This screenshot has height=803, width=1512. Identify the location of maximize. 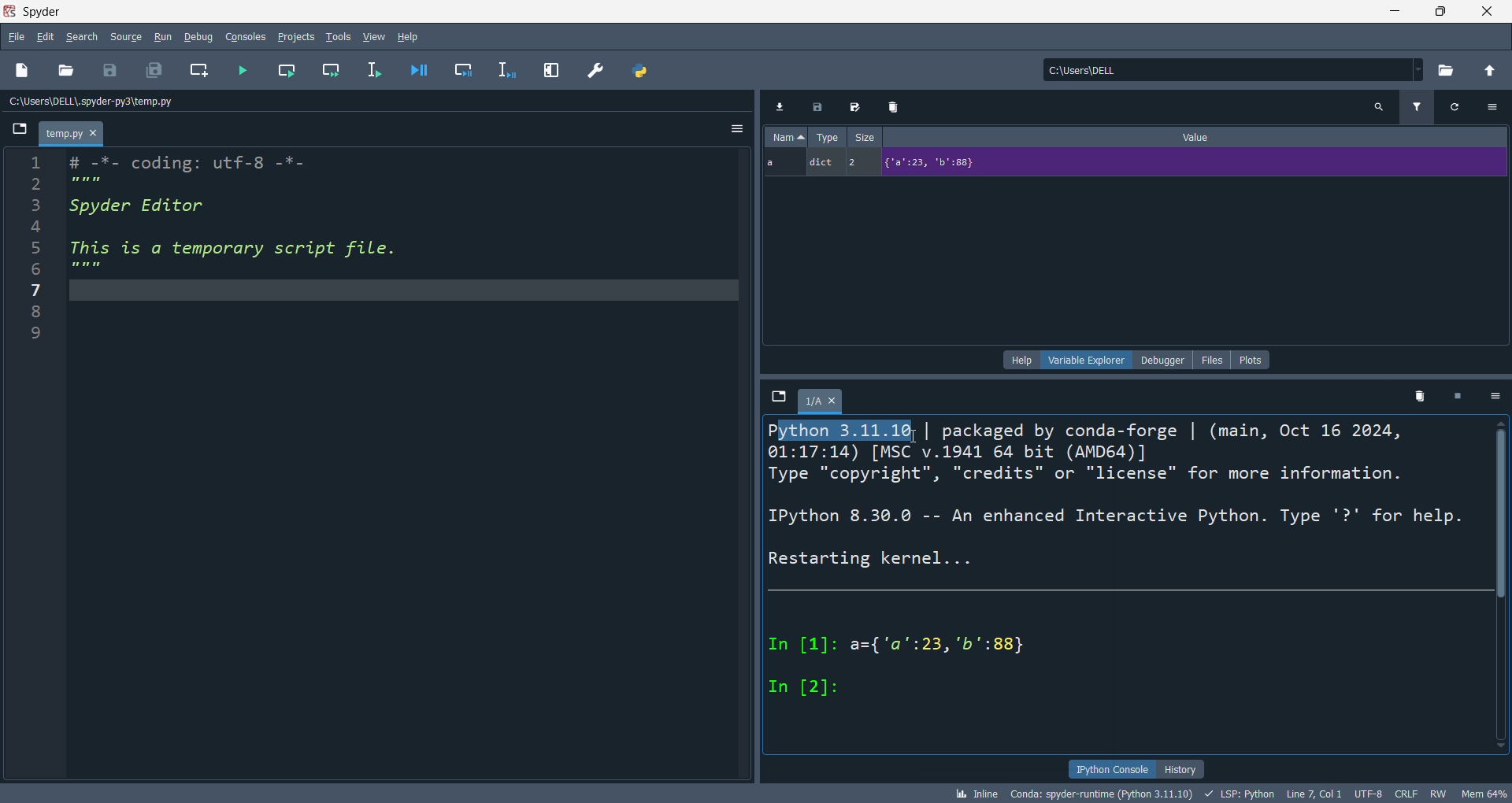
(1433, 13).